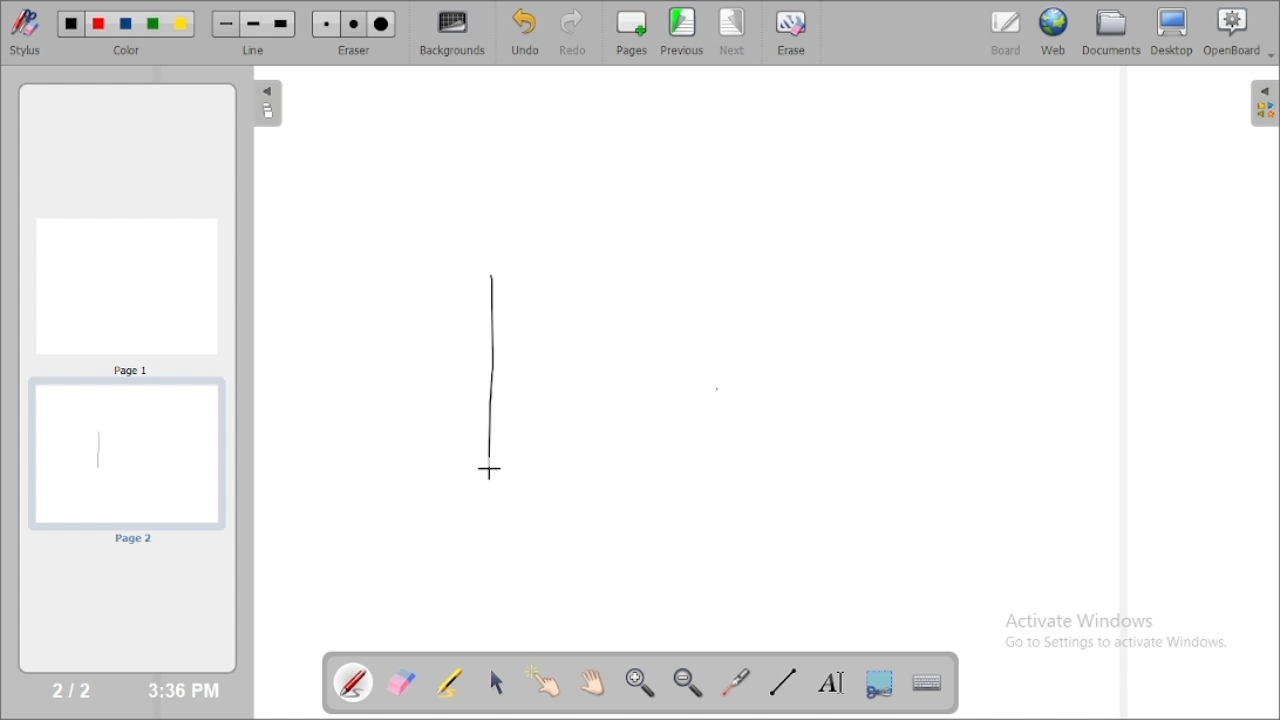  What do you see at coordinates (326, 25) in the screenshot?
I see `Small eraser` at bounding box center [326, 25].